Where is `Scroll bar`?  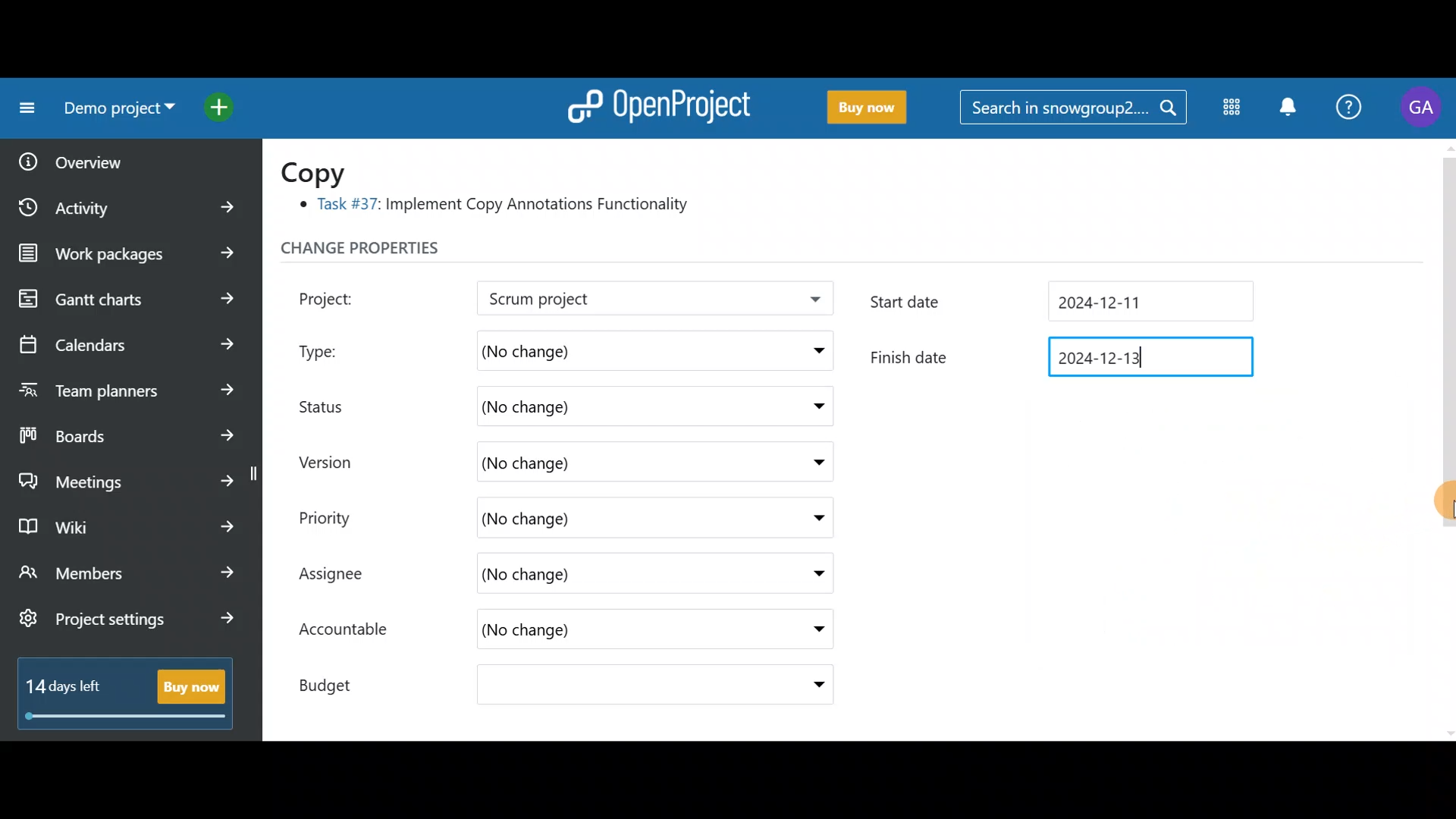 Scroll bar is located at coordinates (1447, 438).